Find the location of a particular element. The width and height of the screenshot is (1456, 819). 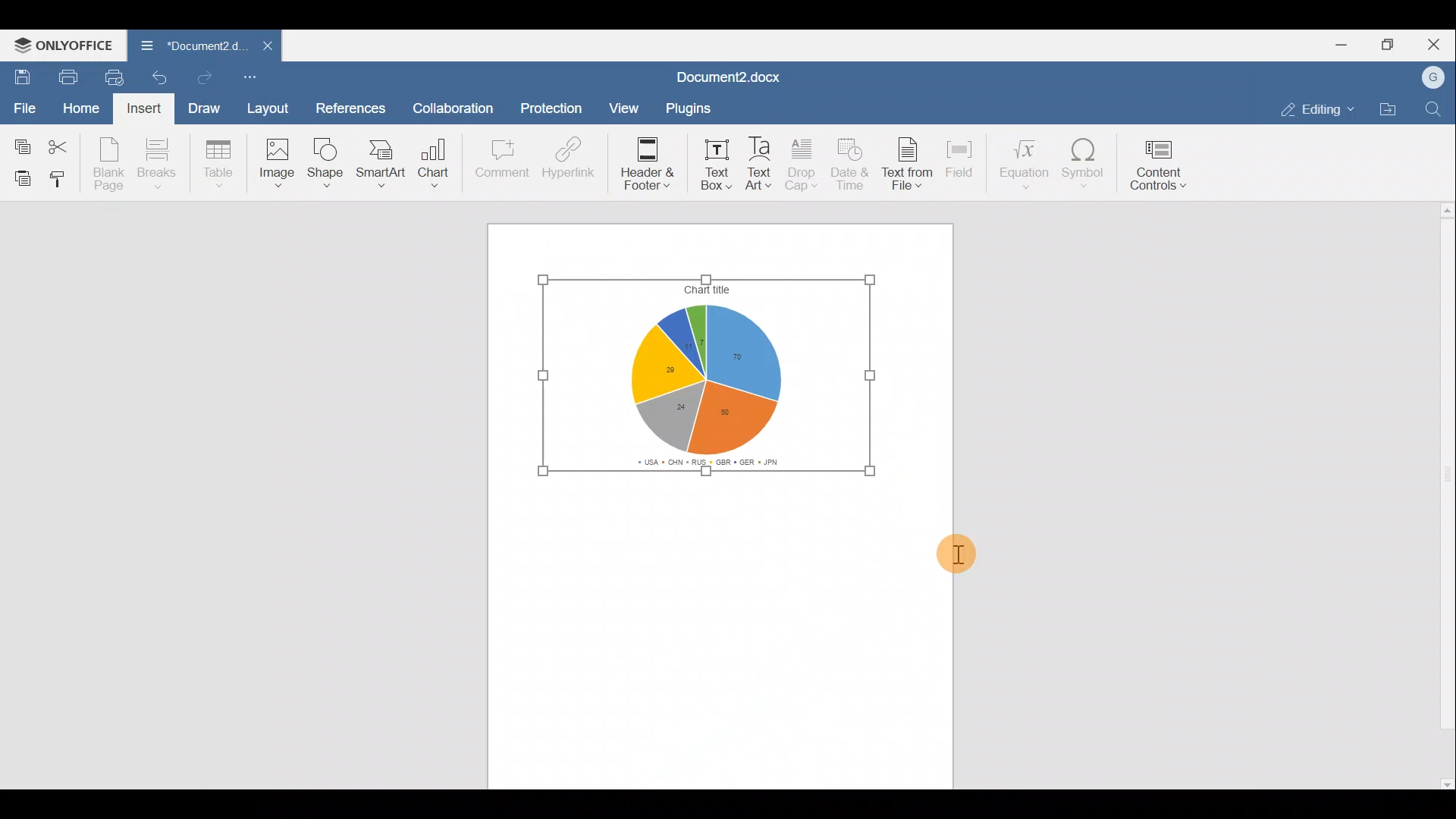

File is located at coordinates (23, 107).